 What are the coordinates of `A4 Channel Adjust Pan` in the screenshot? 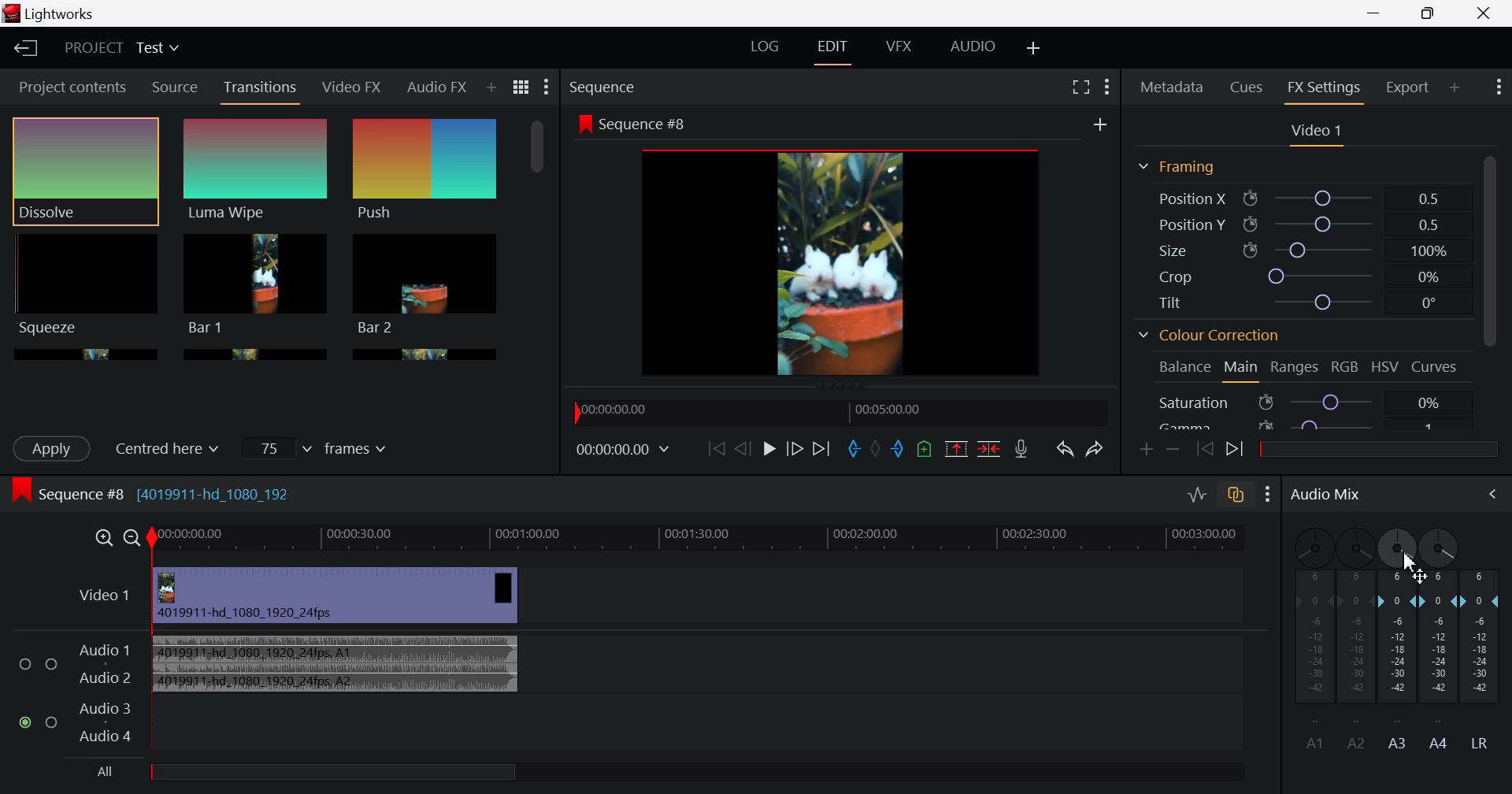 It's located at (1441, 547).